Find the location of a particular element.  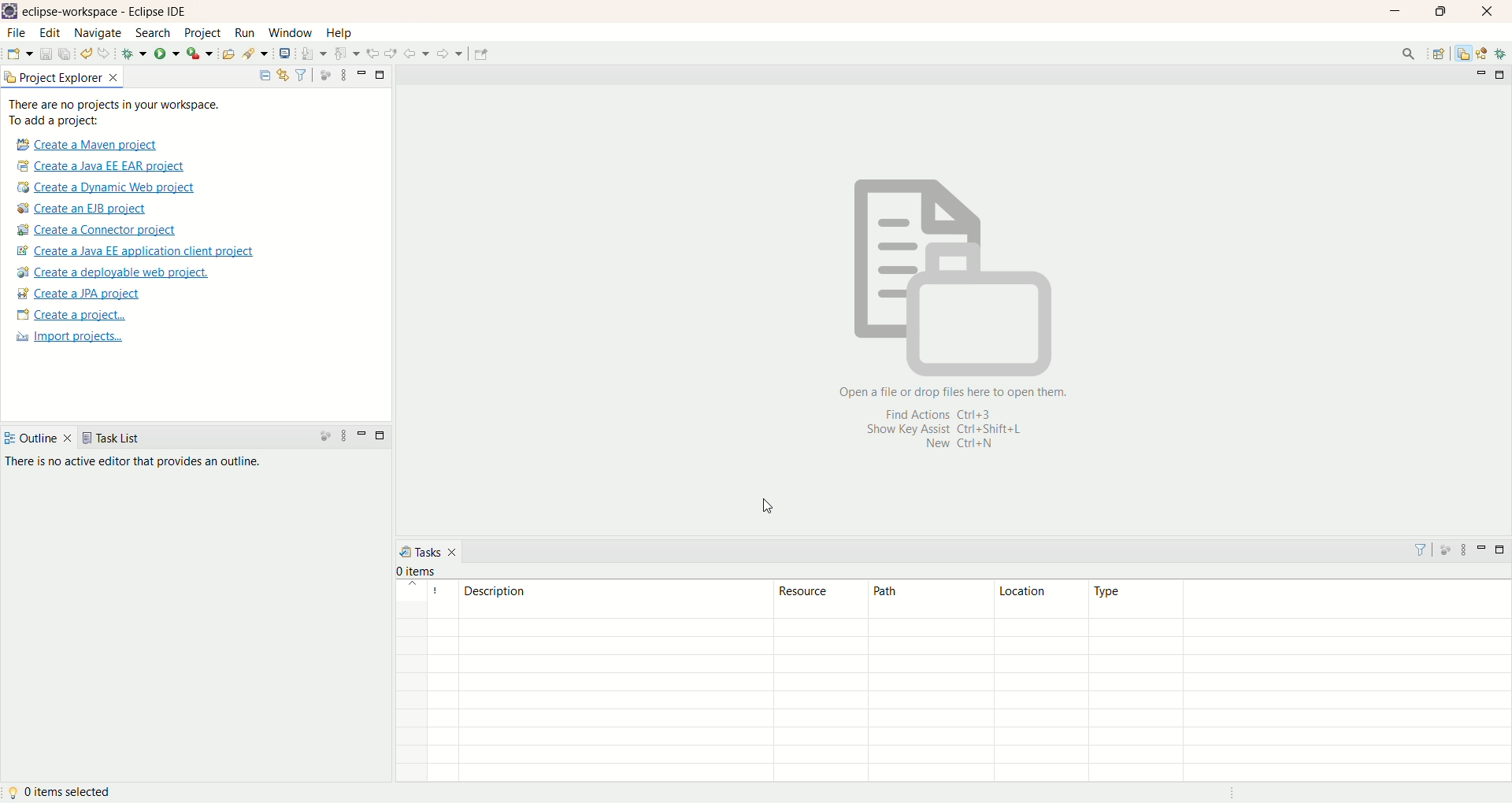

open task is located at coordinates (227, 54).